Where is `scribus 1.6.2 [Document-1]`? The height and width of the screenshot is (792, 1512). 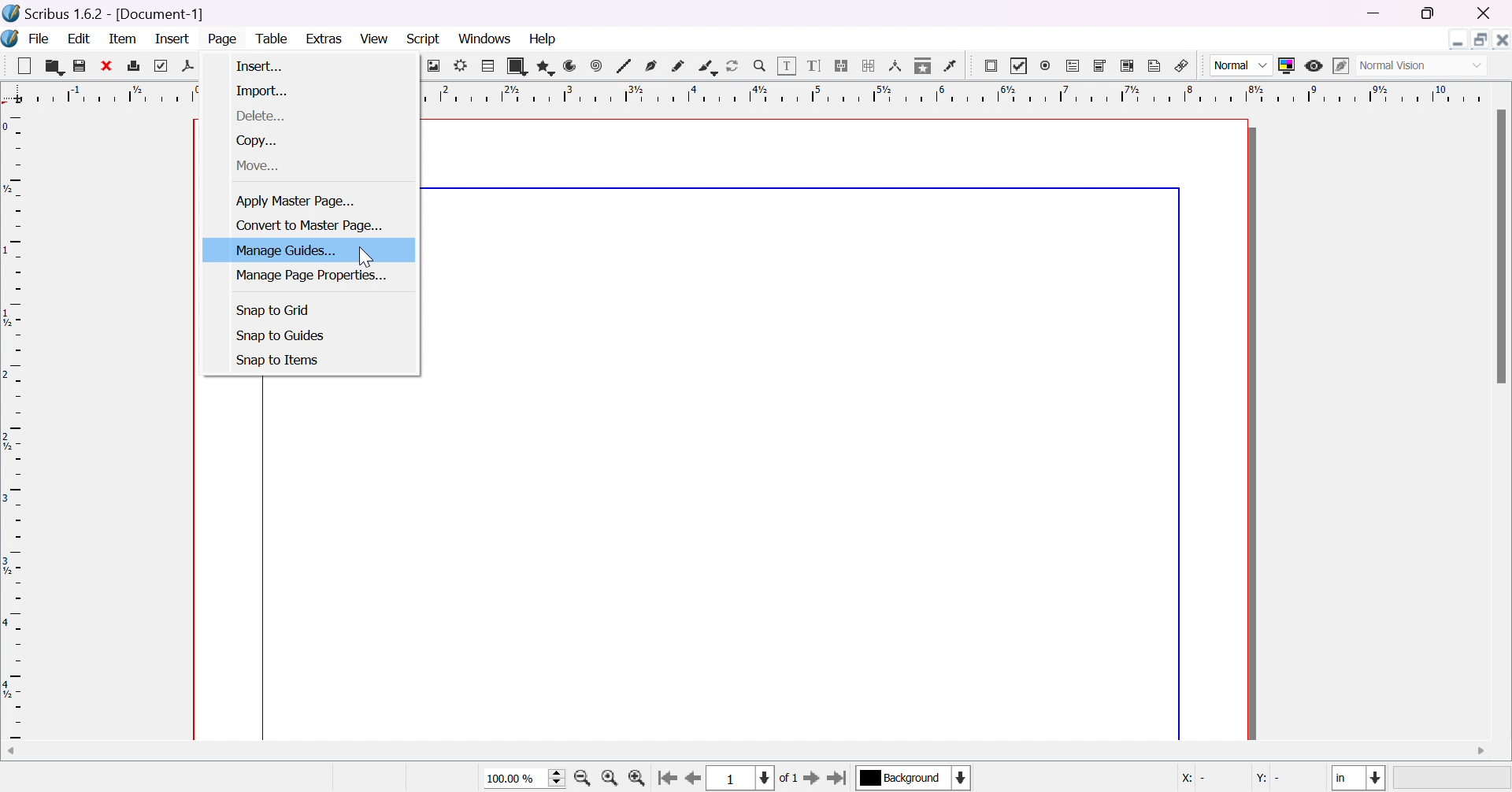
scribus 1.6.2 [Document-1] is located at coordinates (105, 11).